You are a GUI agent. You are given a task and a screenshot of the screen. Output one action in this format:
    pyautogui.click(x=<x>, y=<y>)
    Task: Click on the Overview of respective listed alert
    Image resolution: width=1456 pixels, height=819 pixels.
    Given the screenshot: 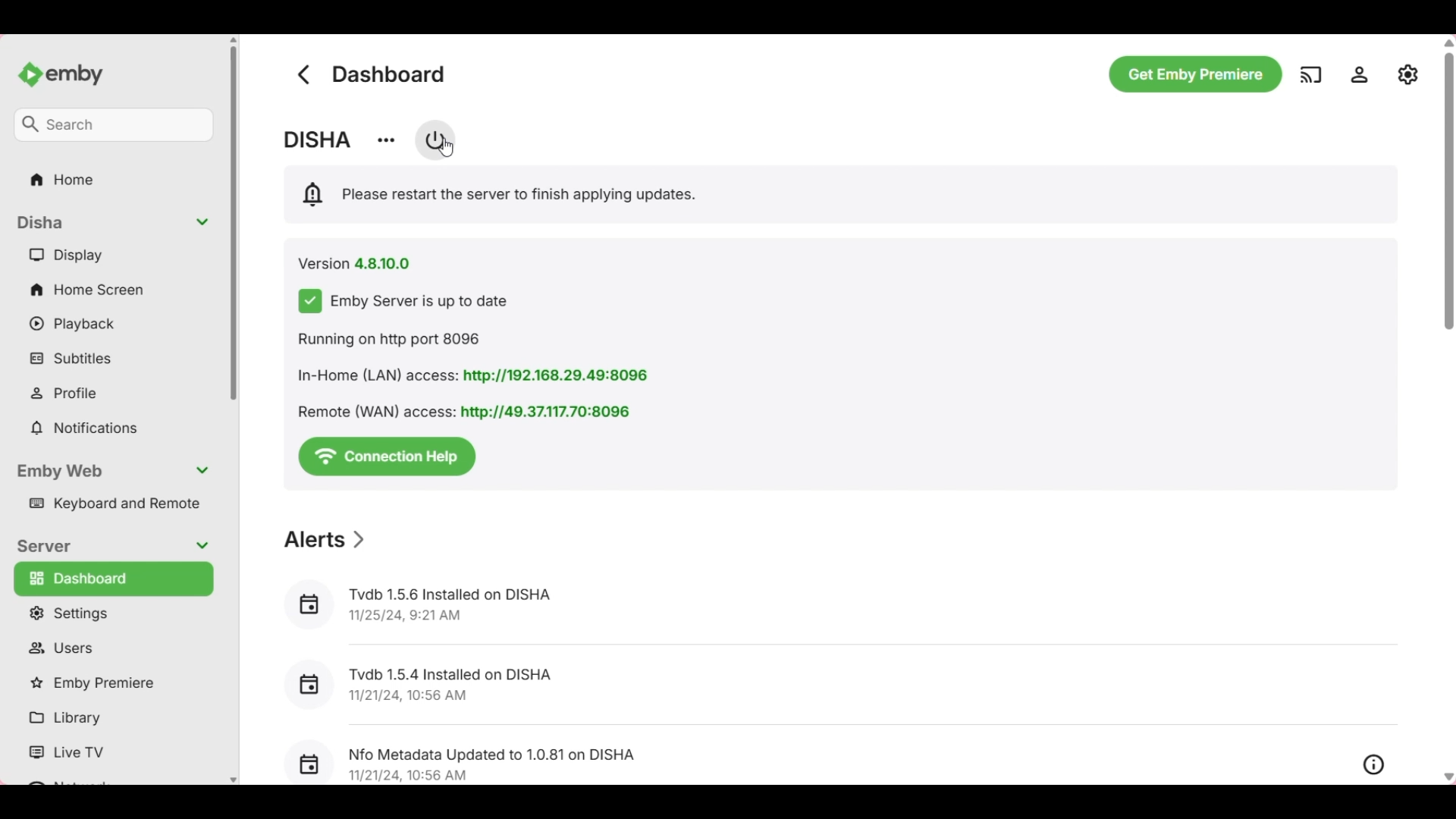 What is the action you would take?
    pyautogui.click(x=1374, y=765)
    